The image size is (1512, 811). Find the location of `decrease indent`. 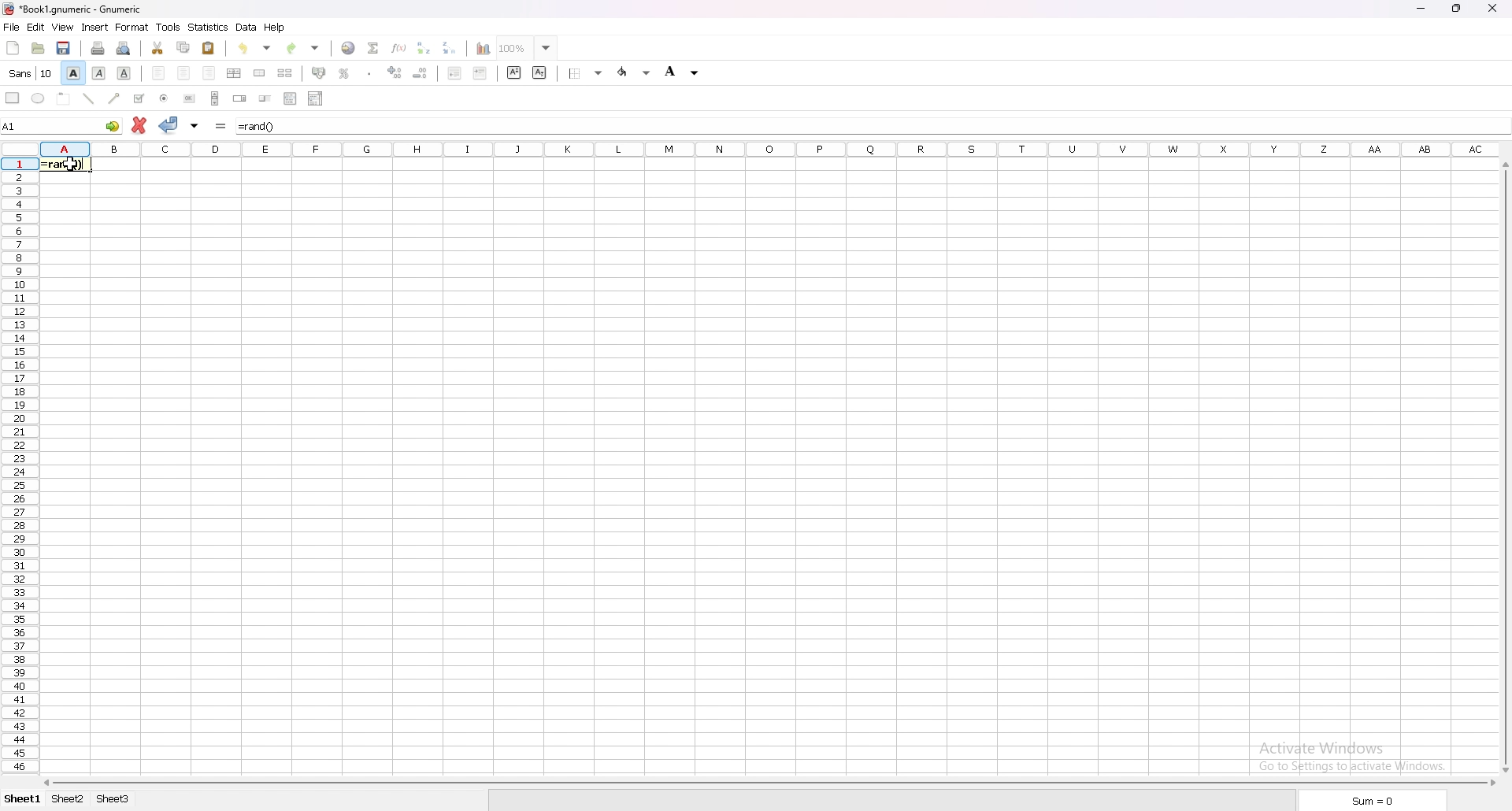

decrease indent is located at coordinates (455, 72).